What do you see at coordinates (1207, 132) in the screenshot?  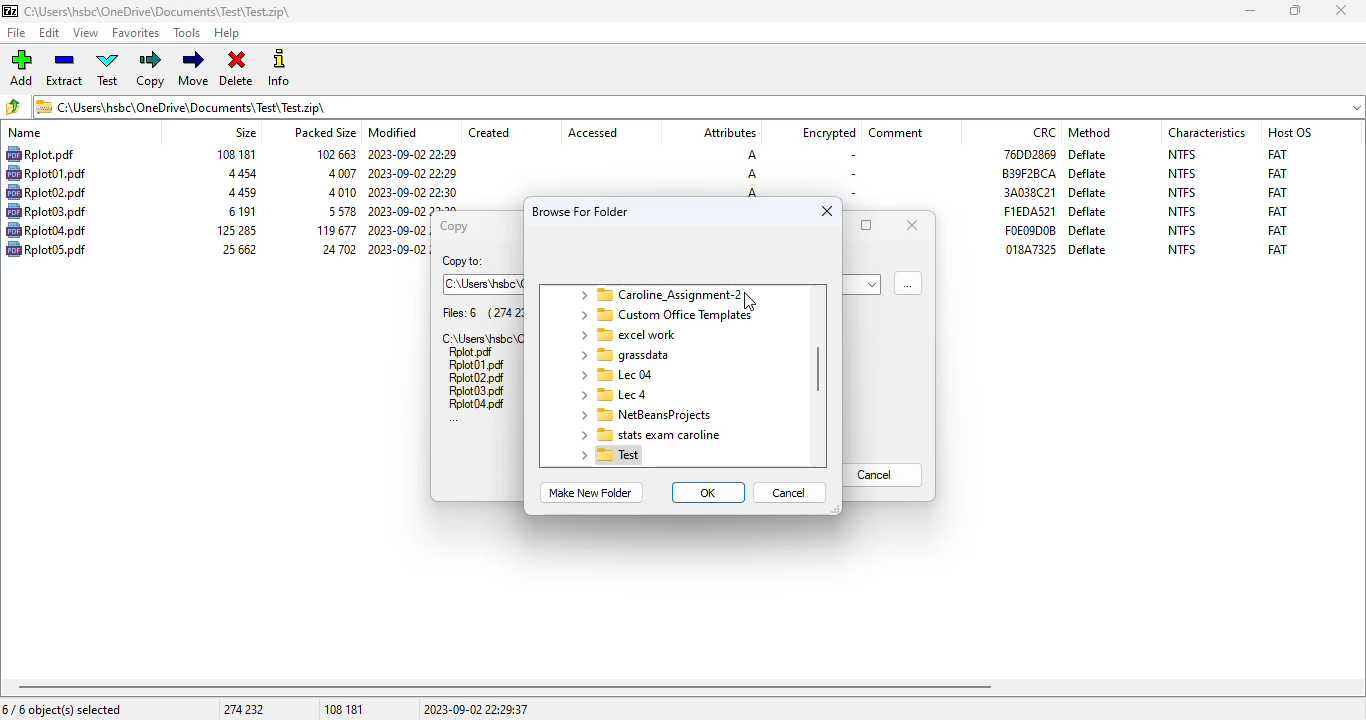 I see `characteristics` at bounding box center [1207, 132].